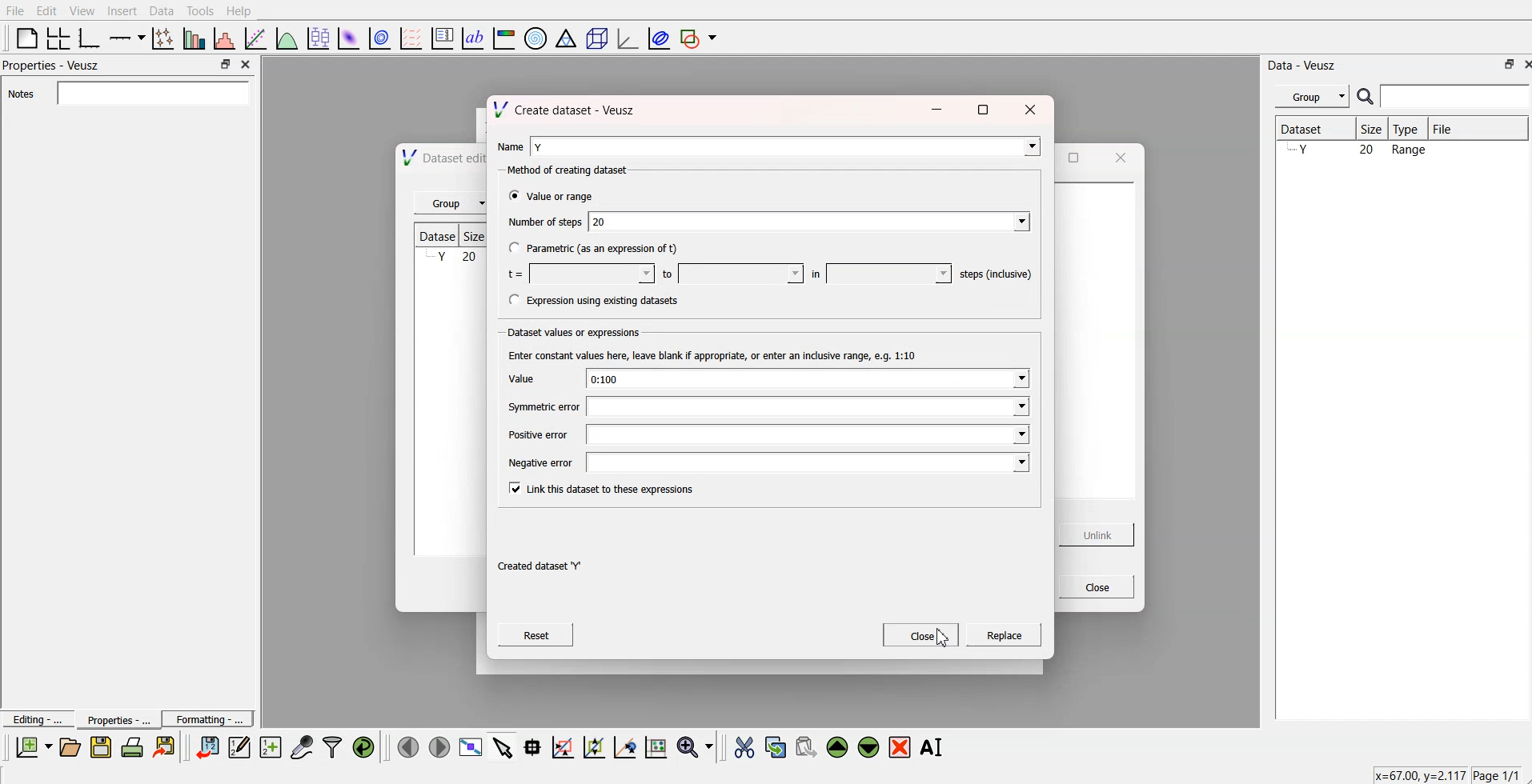 This screenshot has width=1532, height=784. Describe the element at coordinates (657, 746) in the screenshot. I see `click to reset graph axes` at that location.